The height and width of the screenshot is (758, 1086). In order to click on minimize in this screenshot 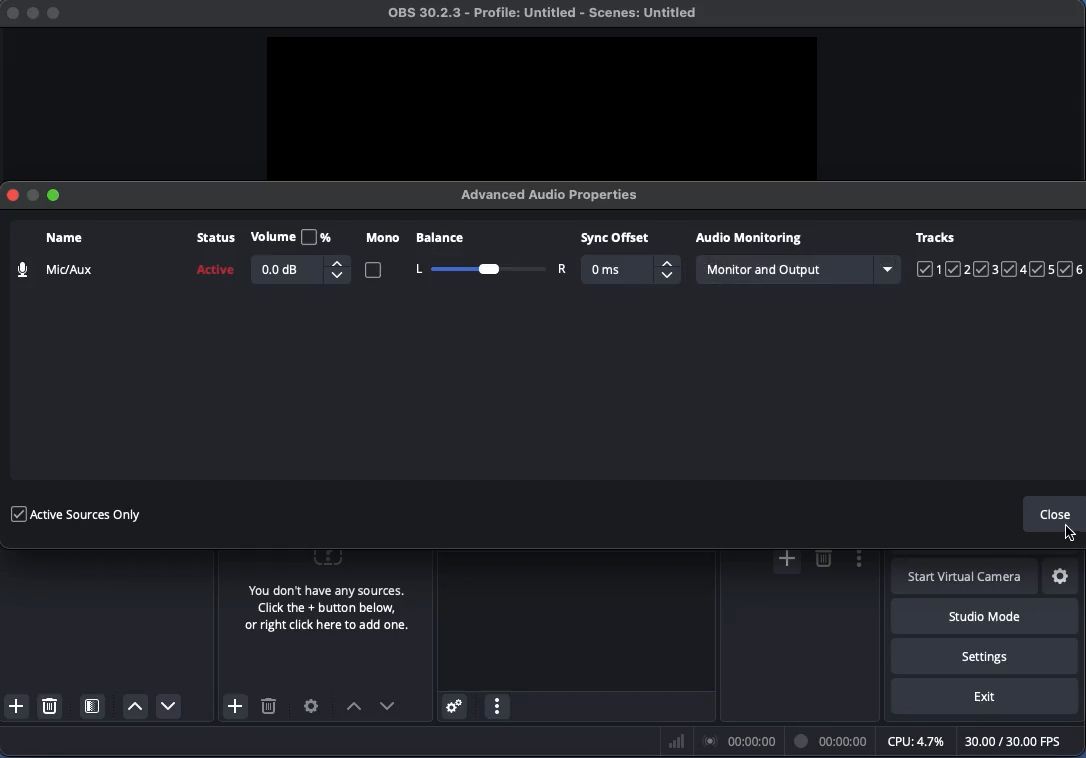, I will do `click(30, 16)`.